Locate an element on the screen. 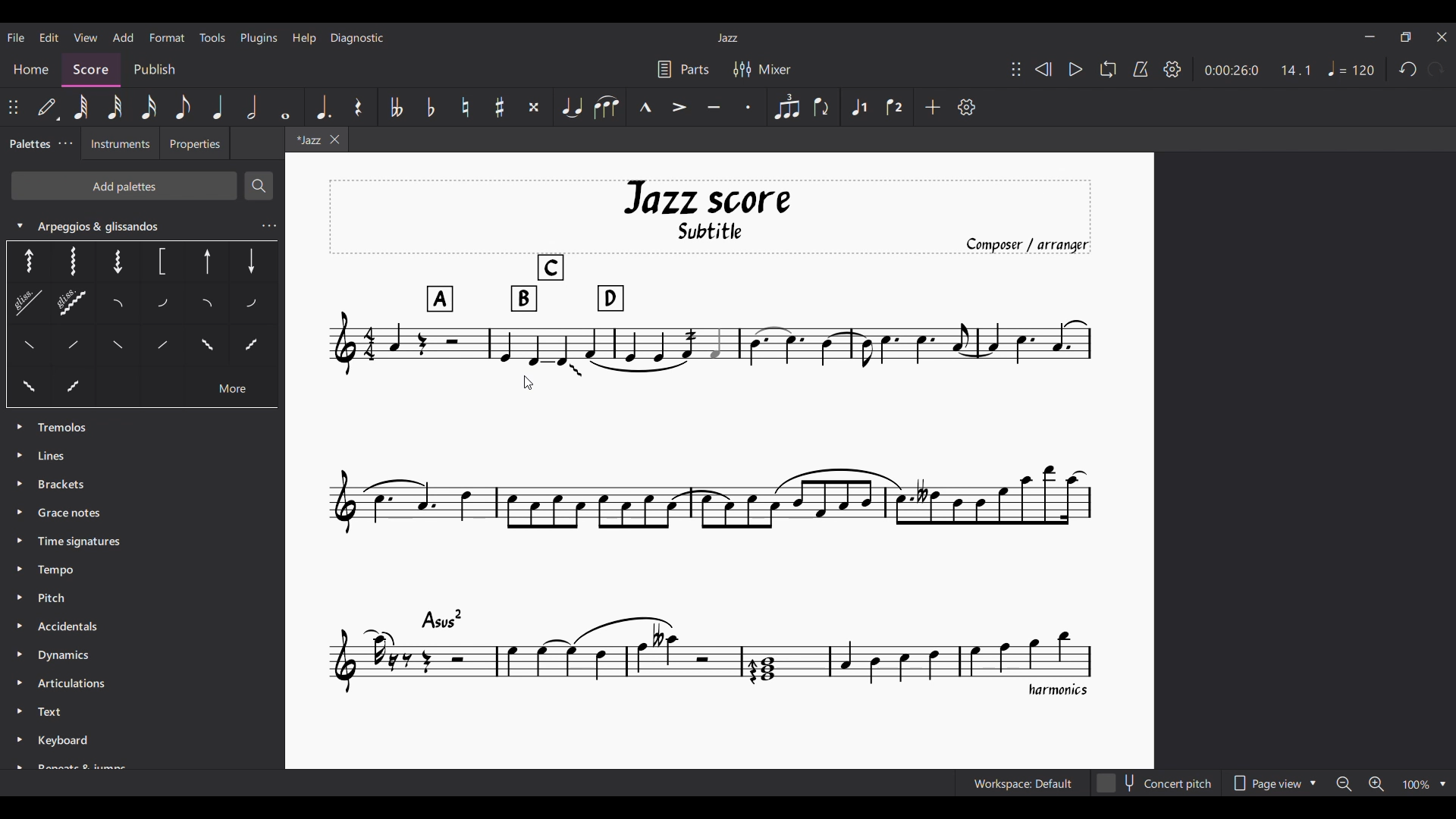 The image size is (1456, 819). Tempo is located at coordinates (1351, 68).